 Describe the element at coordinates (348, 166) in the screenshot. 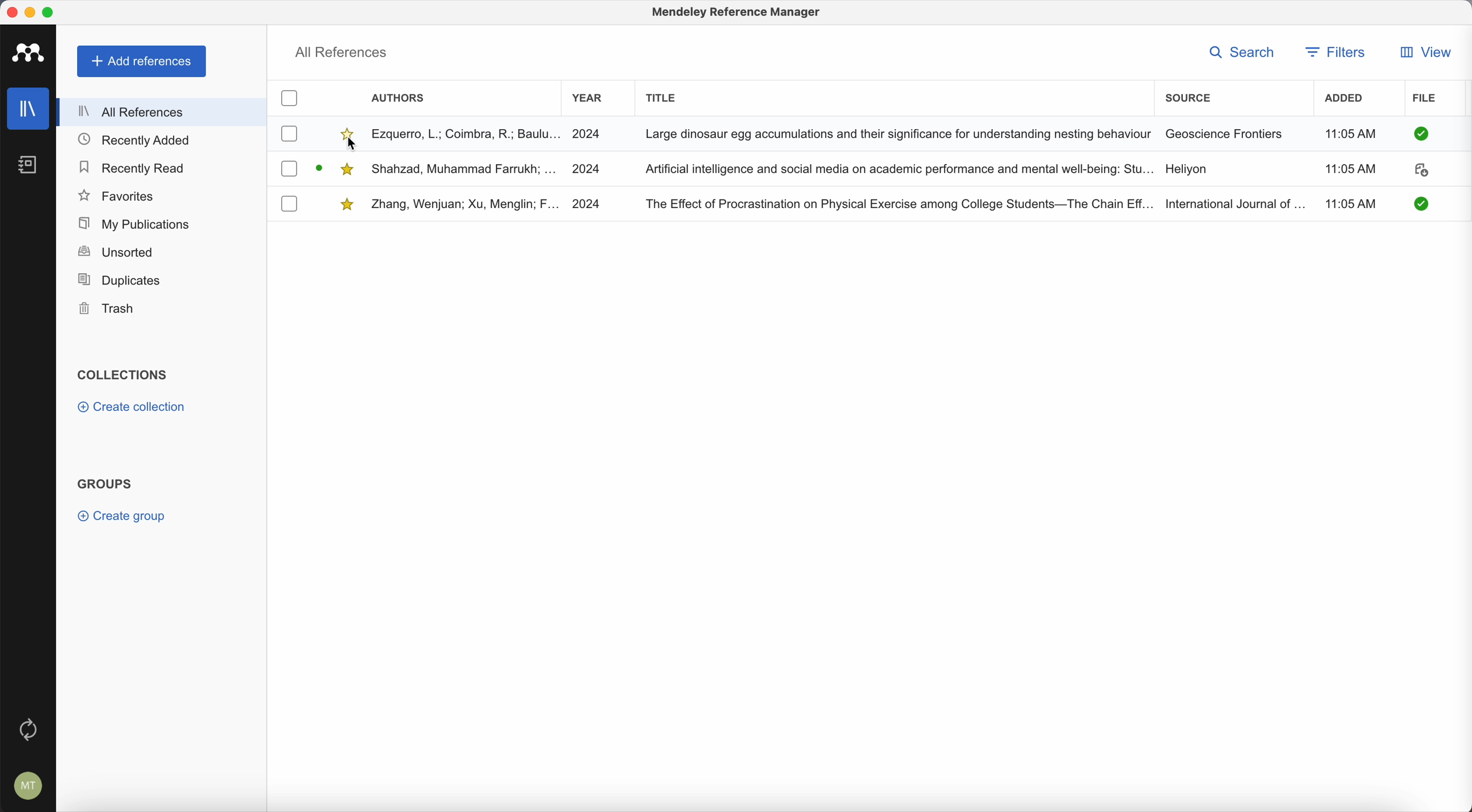

I see `favorite` at that location.